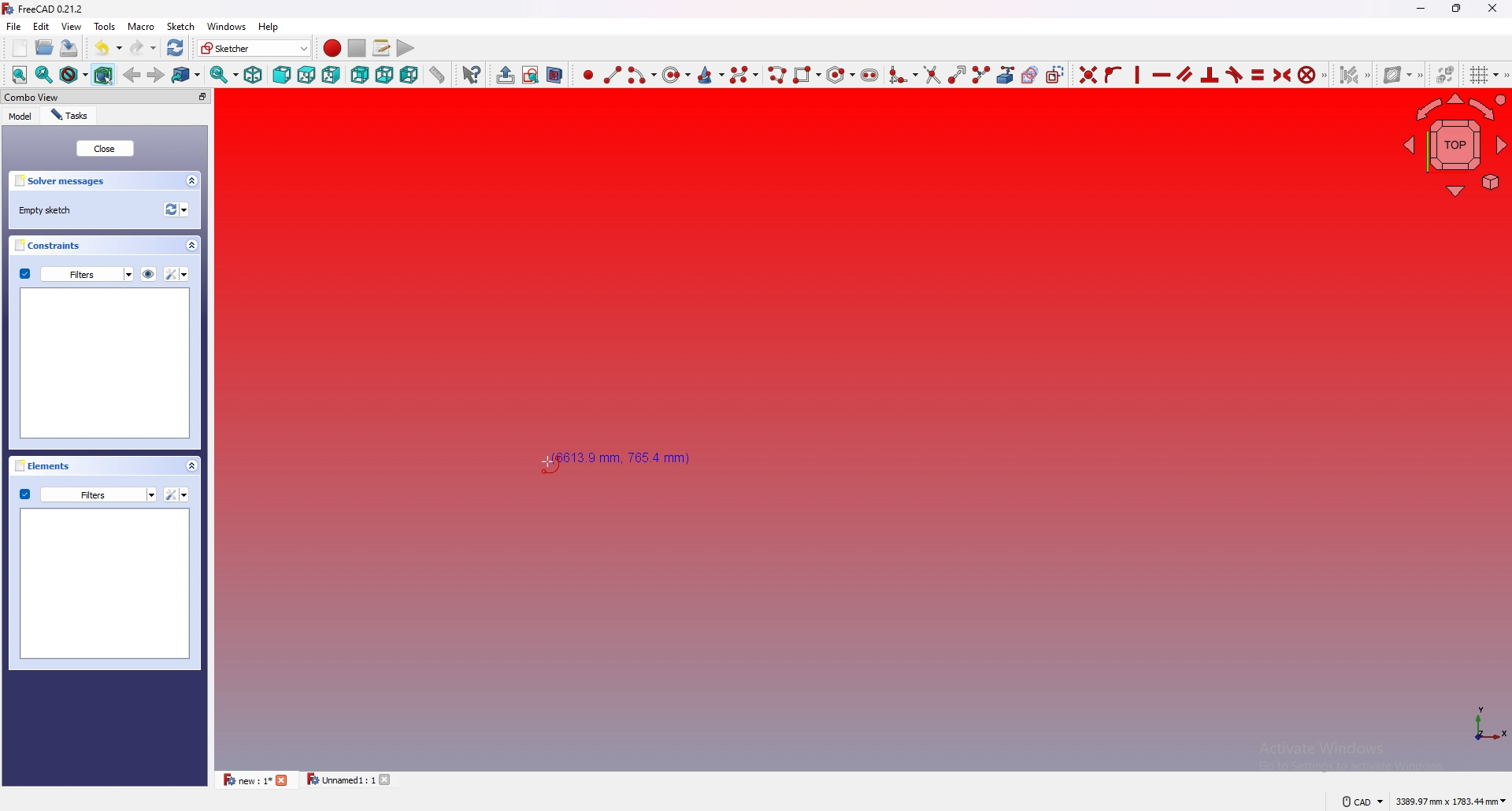 The height and width of the screenshot is (811, 1512). What do you see at coordinates (1186, 75) in the screenshot?
I see `constraint parallel` at bounding box center [1186, 75].